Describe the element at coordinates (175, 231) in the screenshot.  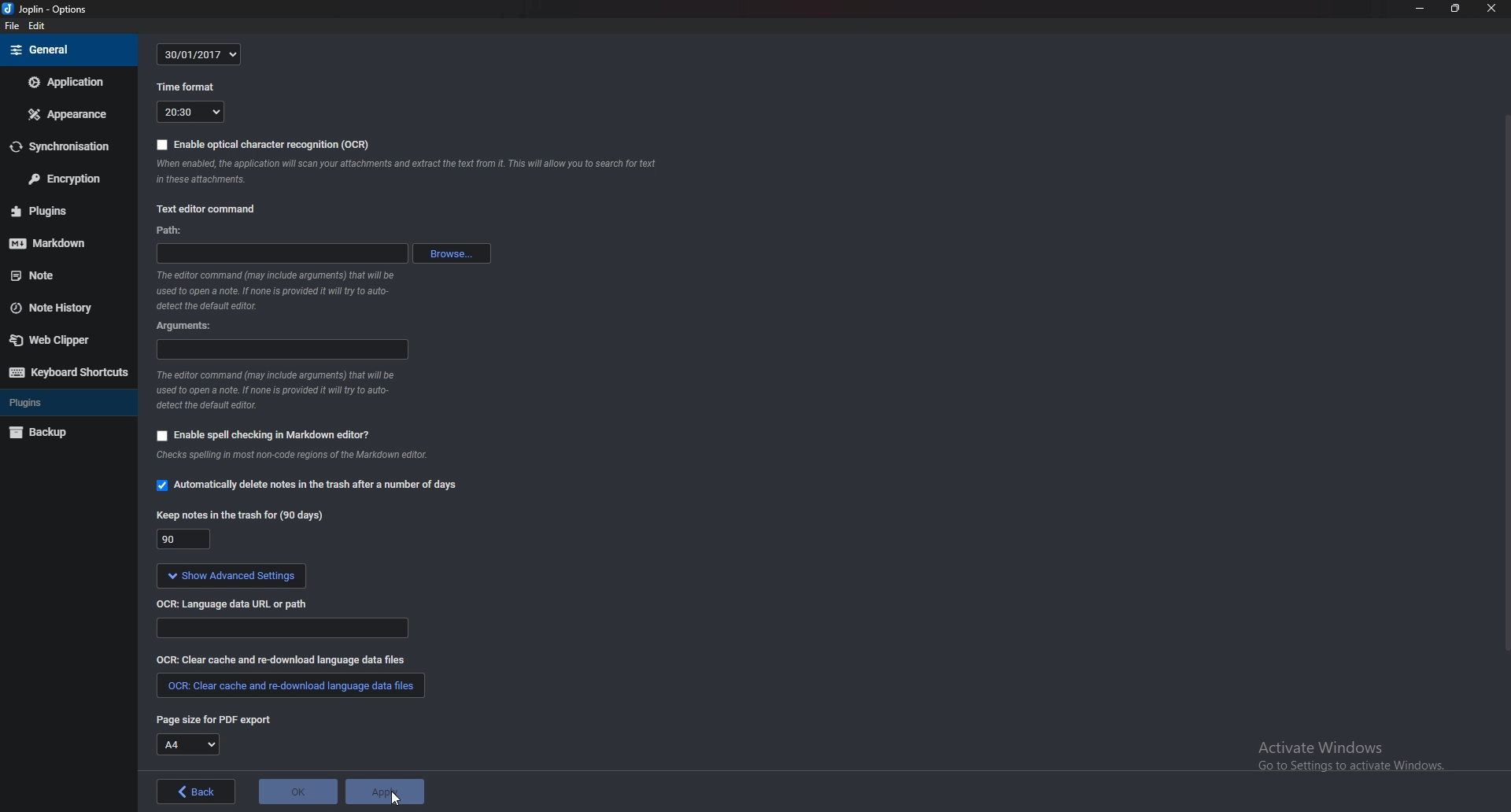
I see `path` at that location.